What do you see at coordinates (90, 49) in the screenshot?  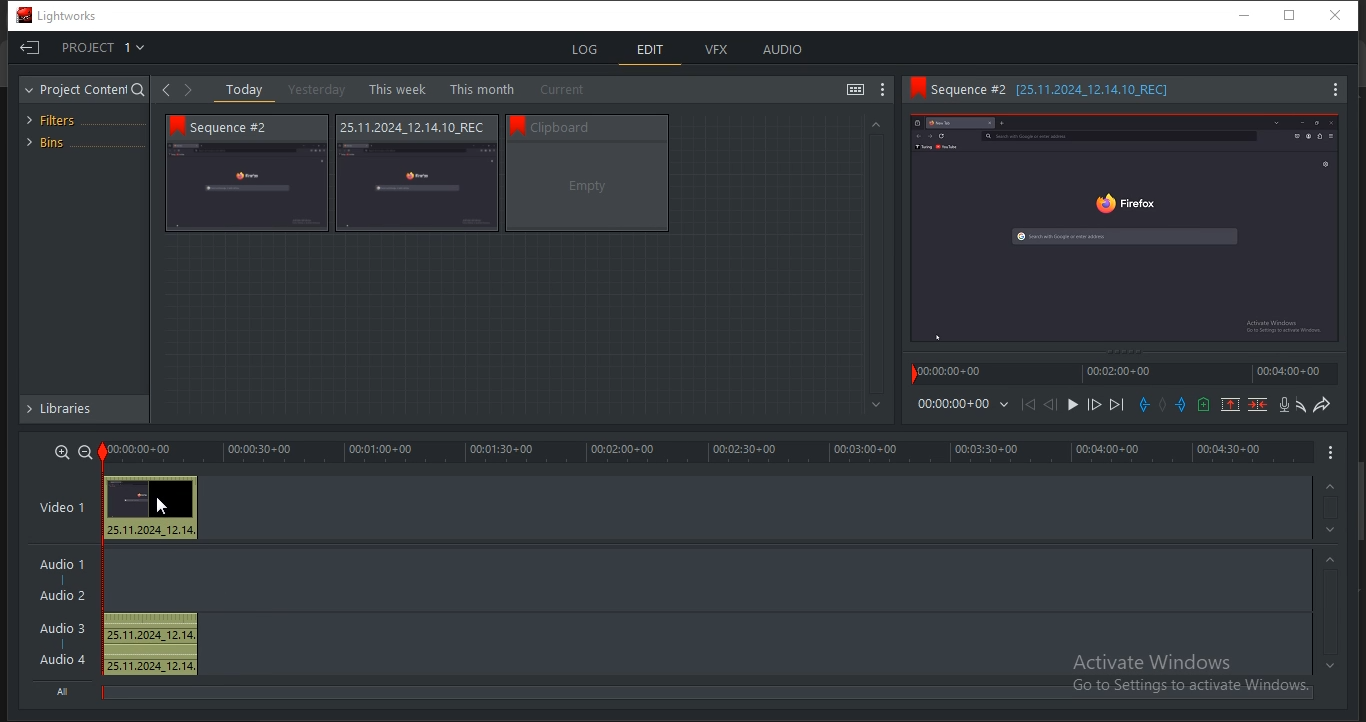 I see `project 1` at bounding box center [90, 49].